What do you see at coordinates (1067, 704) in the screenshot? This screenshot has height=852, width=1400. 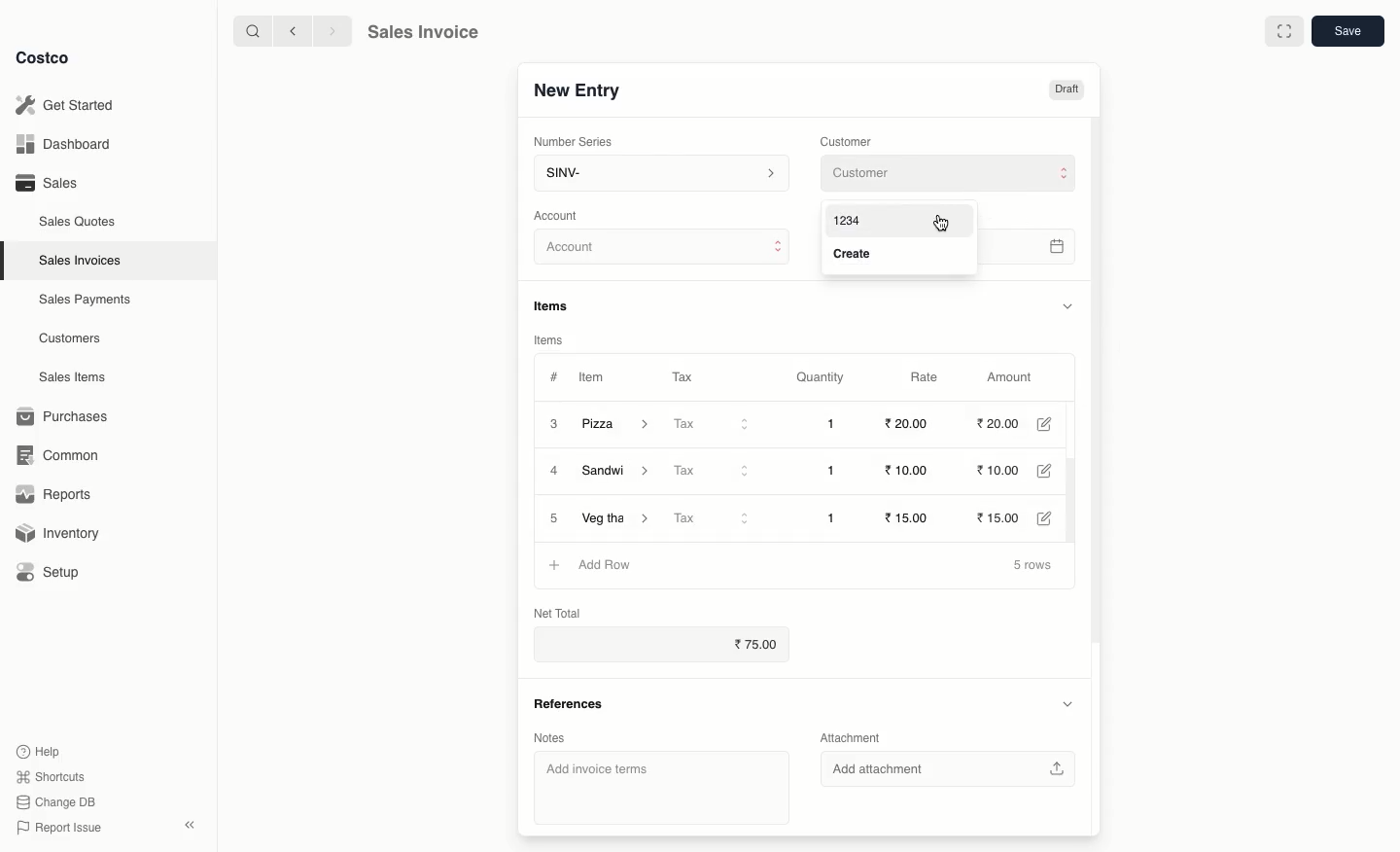 I see `Hide` at bounding box center [1067, 704].